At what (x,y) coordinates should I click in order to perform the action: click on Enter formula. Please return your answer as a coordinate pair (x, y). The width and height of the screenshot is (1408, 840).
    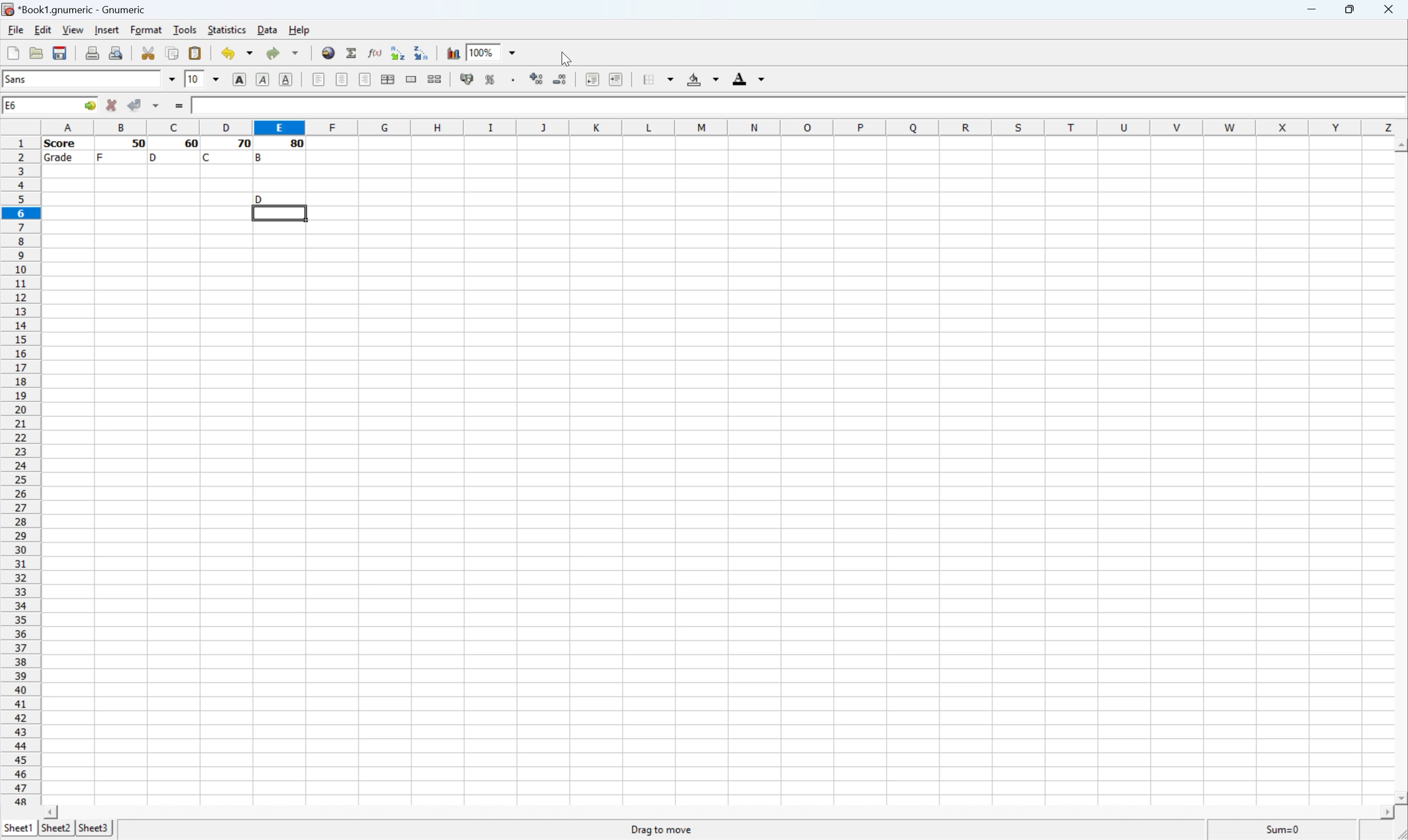
    Looking at the image, I should click on (179, 107).